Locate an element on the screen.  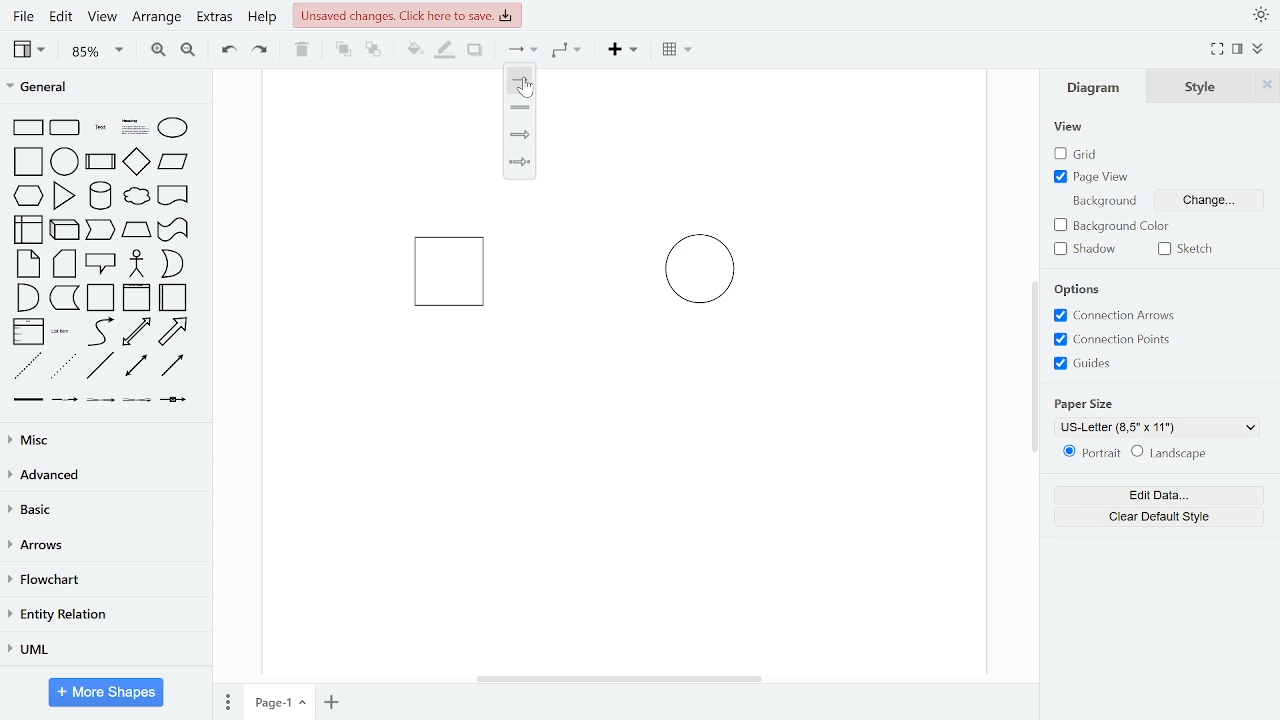
current diagram is located at coordinates (614, 311).